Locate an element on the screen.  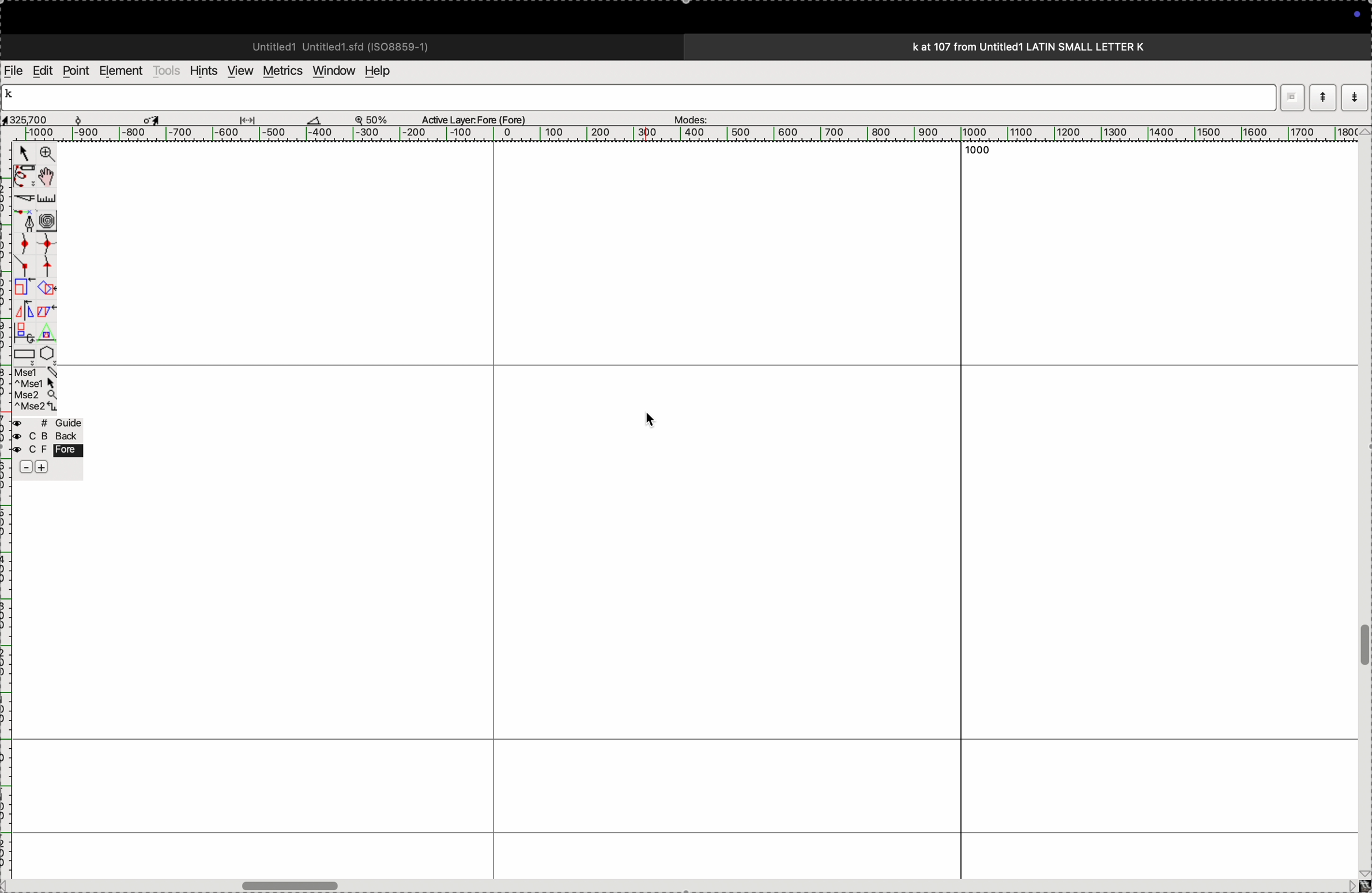
tools is located at coordinates (167, 70).